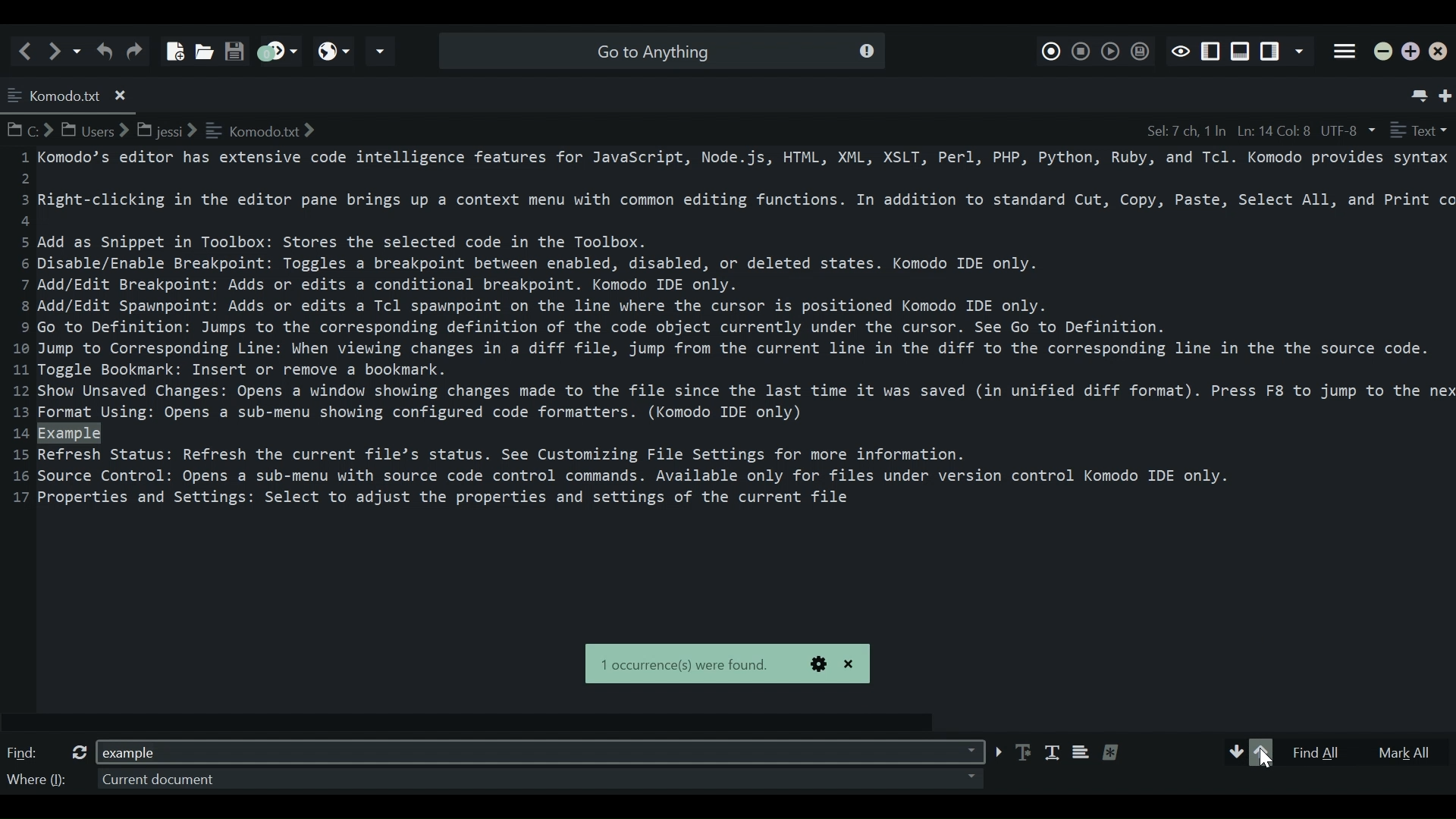  What do you see at coordinates (727, 664) in the screenshot?
I see `Pop dialog box` at bounding box center [727, 664].